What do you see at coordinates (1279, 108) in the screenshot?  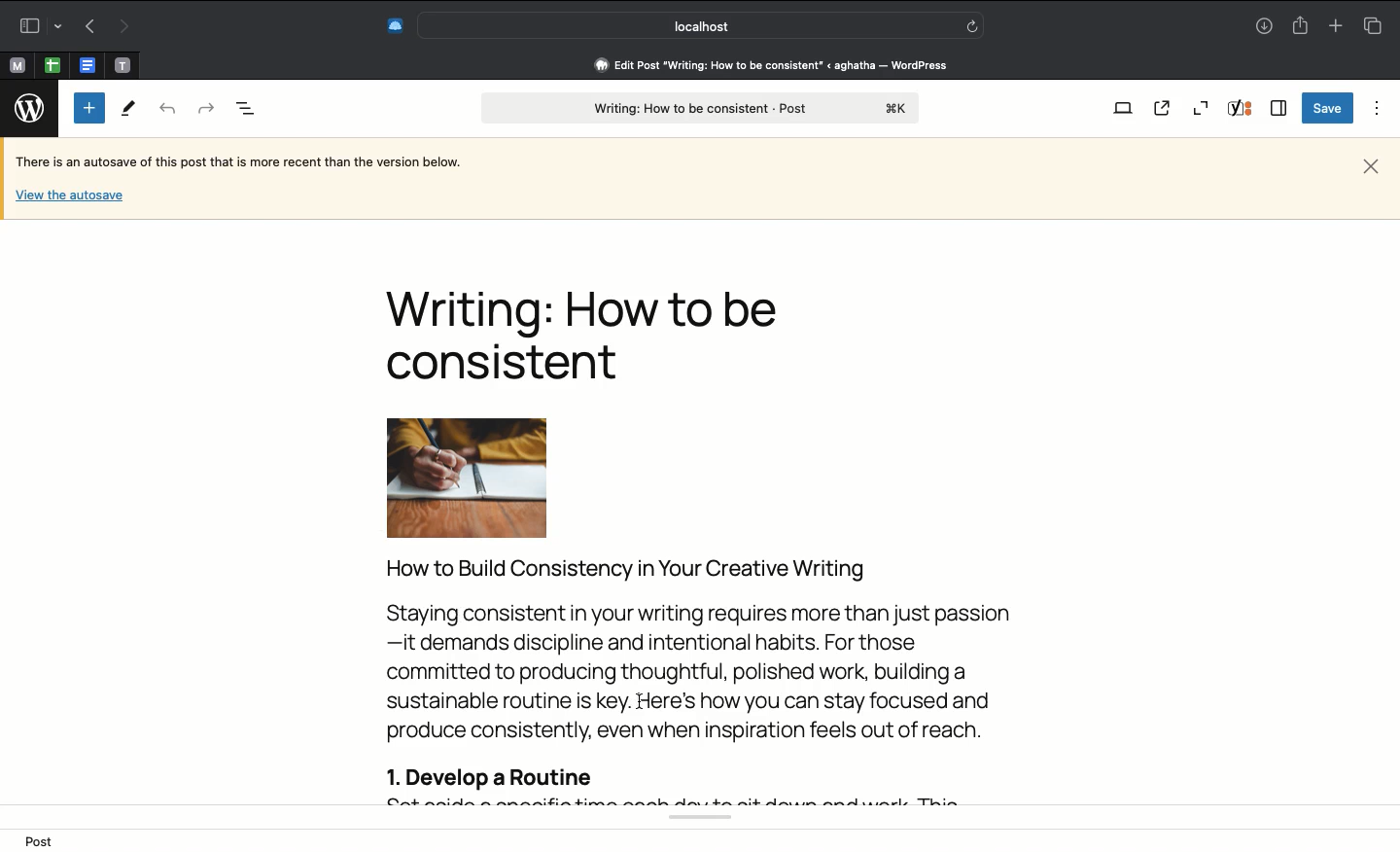 I see `Sidebar` at bounding box center [1279, 108].